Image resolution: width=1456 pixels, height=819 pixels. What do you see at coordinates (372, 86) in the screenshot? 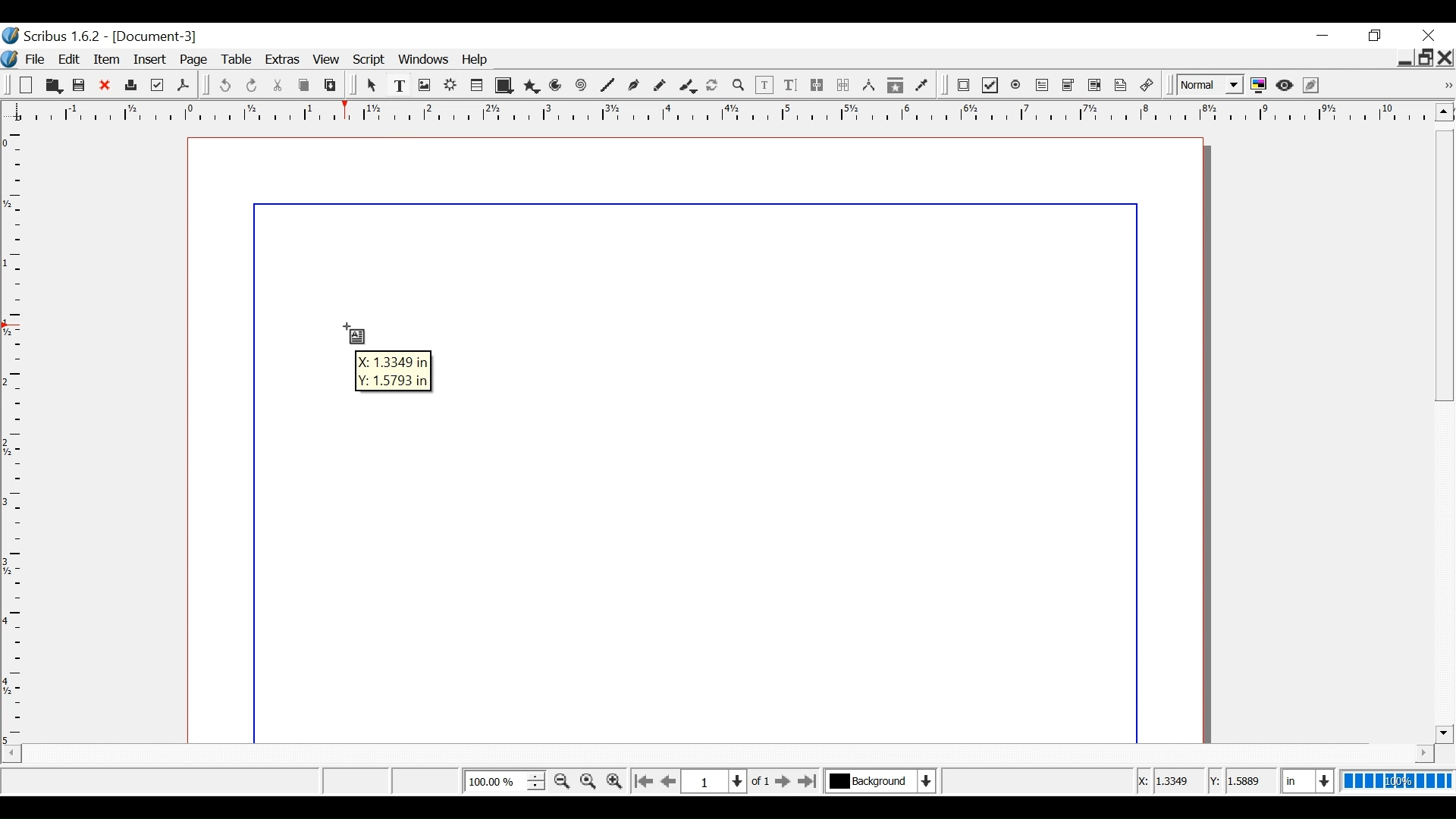
I see `Select` at bounding box center [372, 86].